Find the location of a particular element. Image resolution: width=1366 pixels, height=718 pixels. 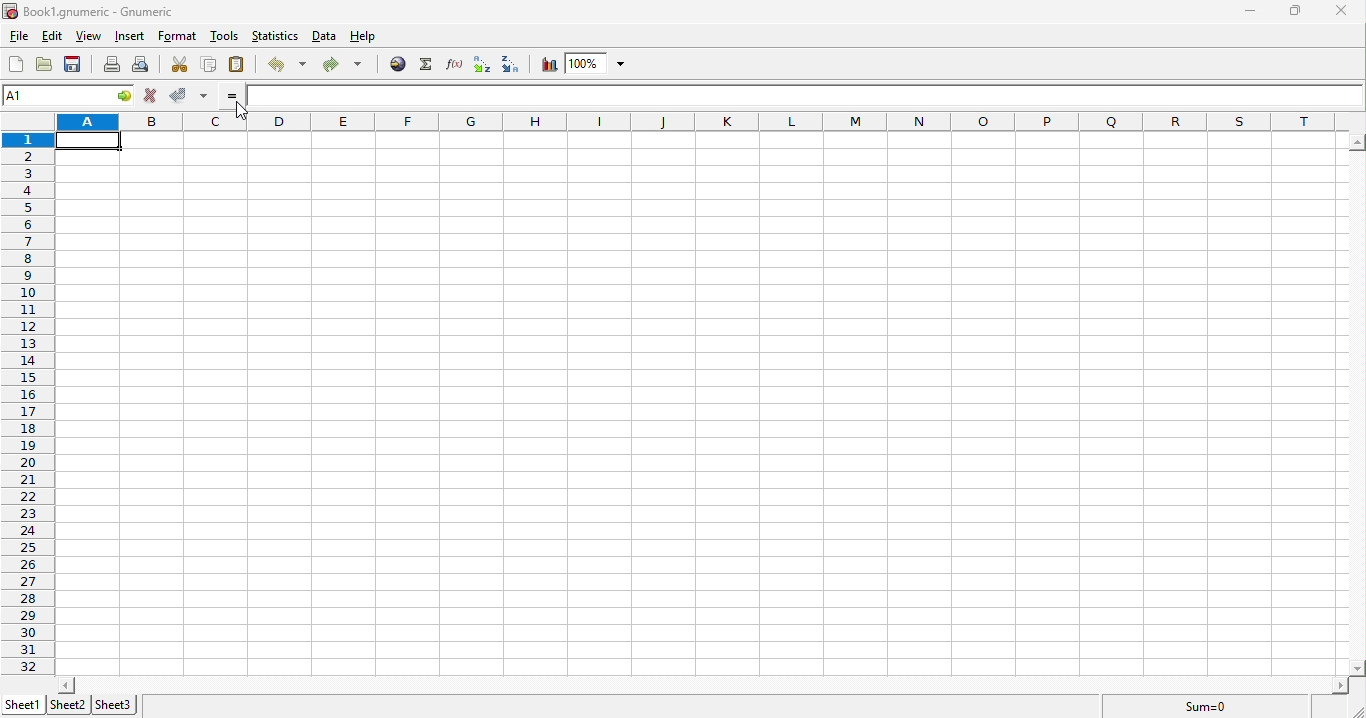

hyperlink is located at coordinates (396, 65).